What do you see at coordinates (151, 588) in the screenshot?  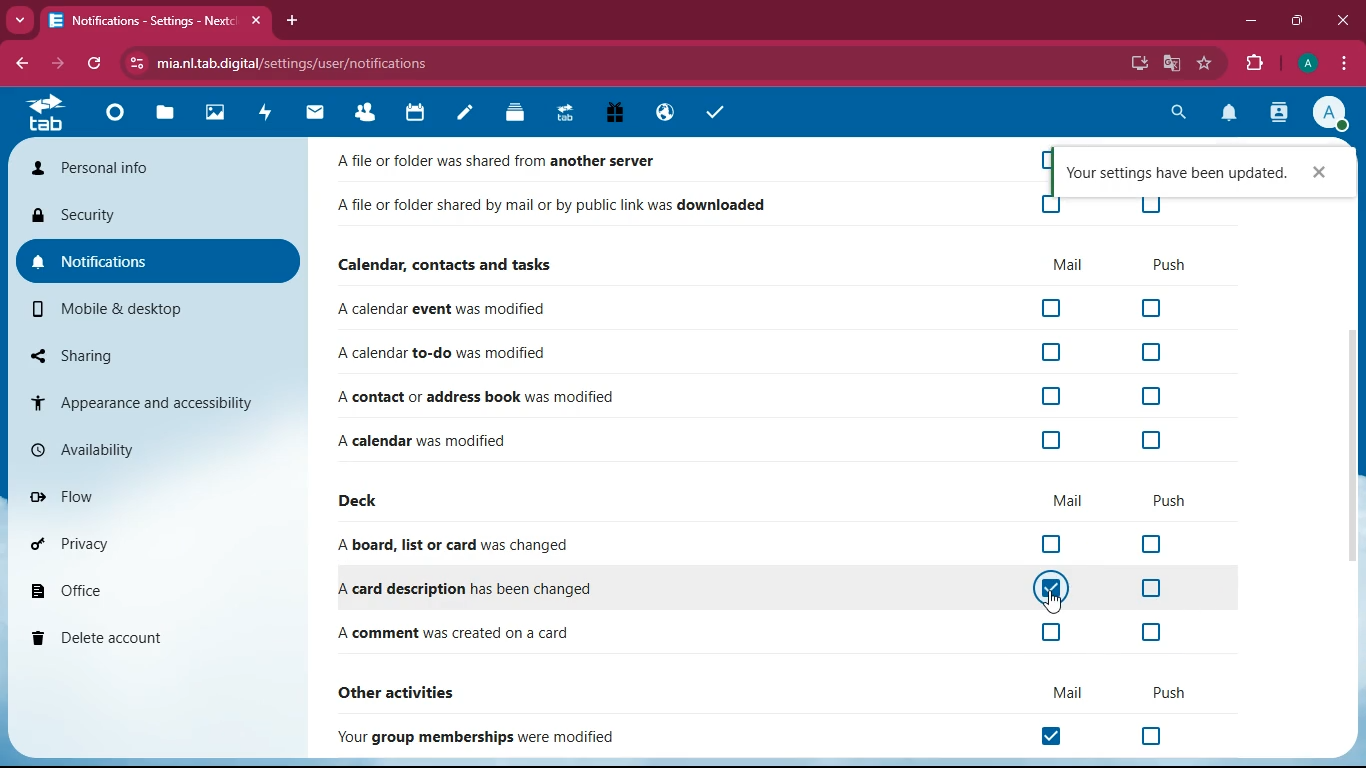 I see `office` at bounding box center [151, 588].